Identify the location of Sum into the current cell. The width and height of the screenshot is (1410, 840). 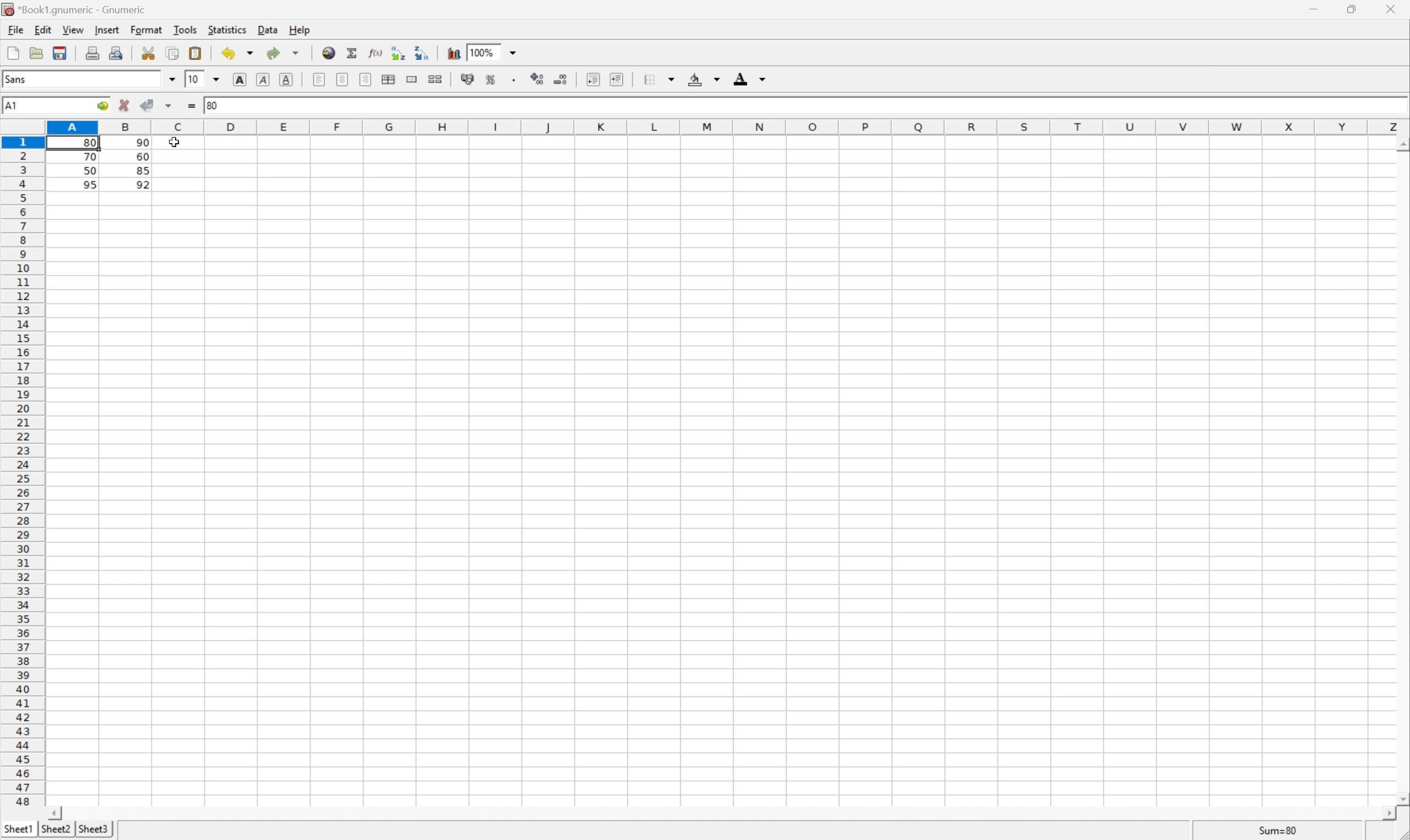
(352, 52).